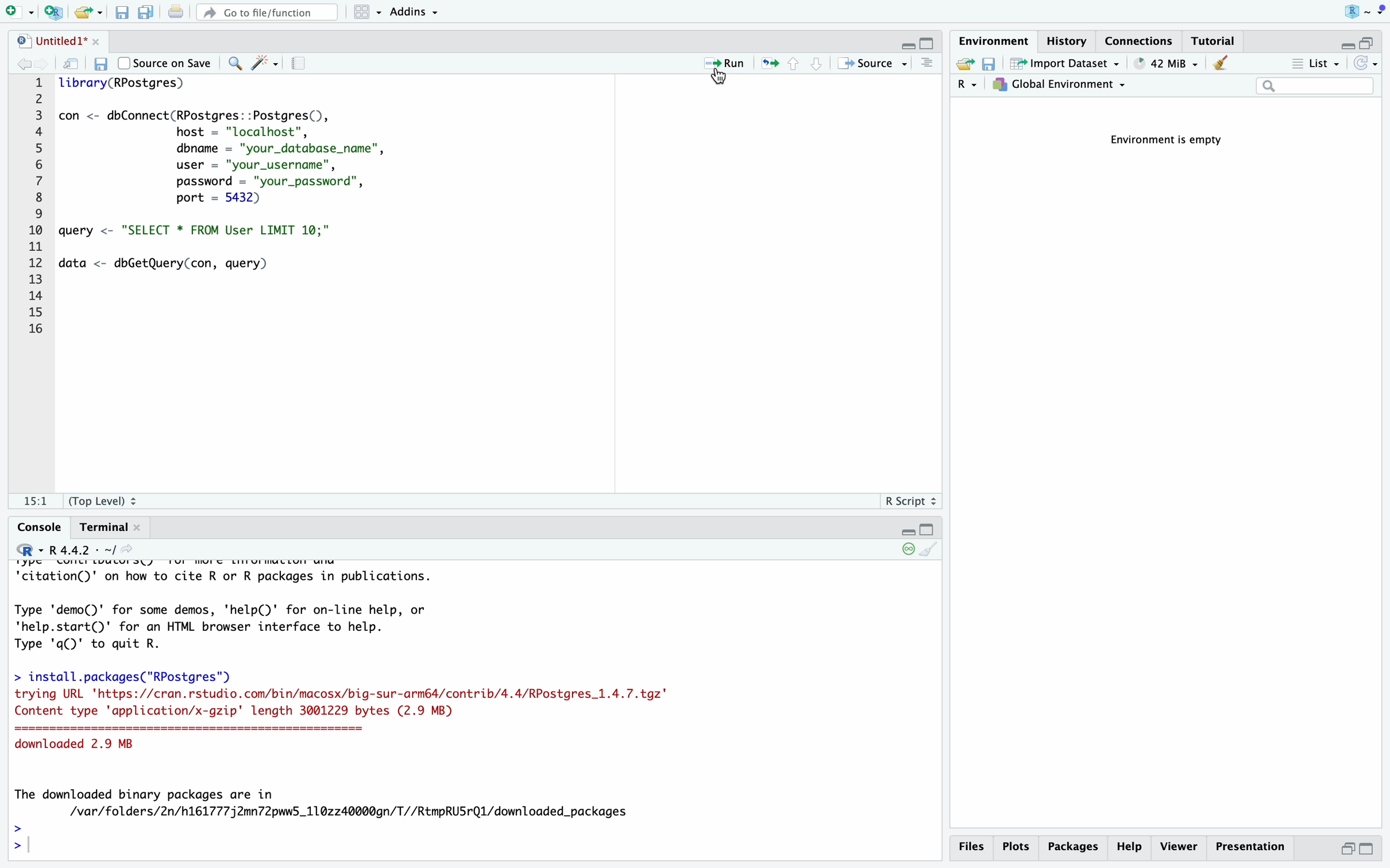  What do you see at coordinates (415, 11) in the screenshot?
I see `addins` at bounding box center [415, 11].